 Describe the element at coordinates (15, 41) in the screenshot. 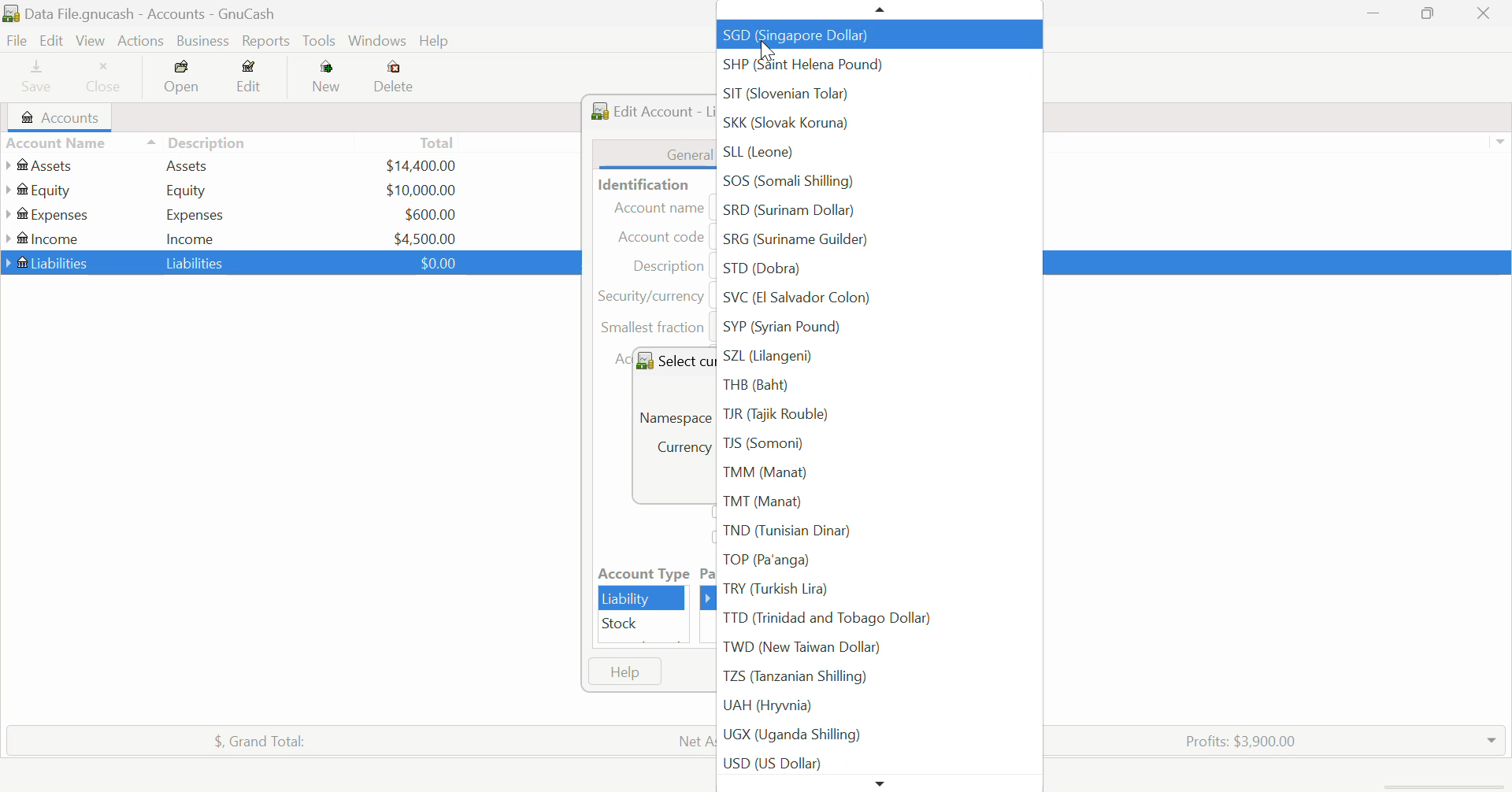

I see `File` at that location.